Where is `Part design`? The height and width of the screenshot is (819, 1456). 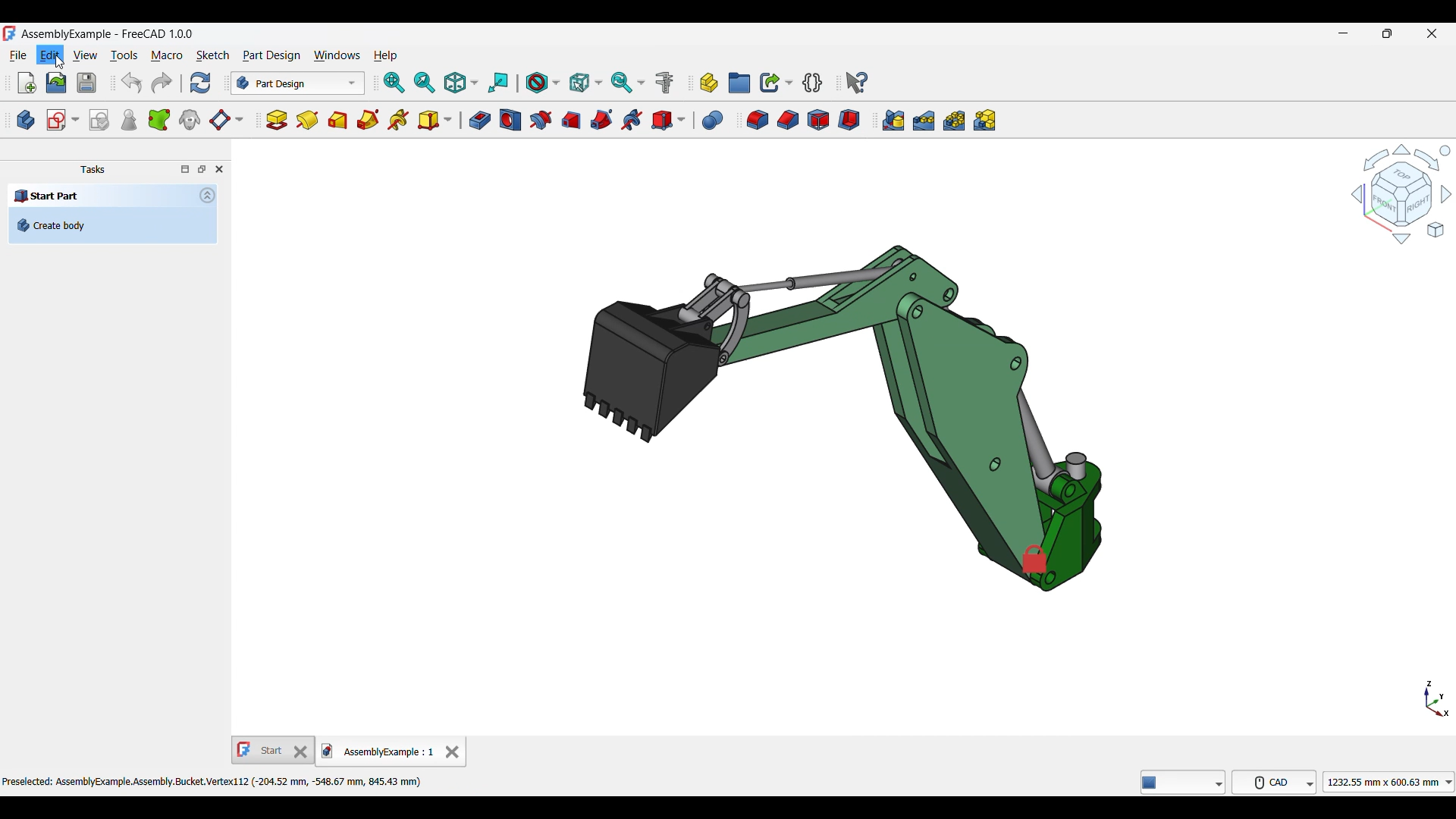 Part design is located at coordinates (271, 55).